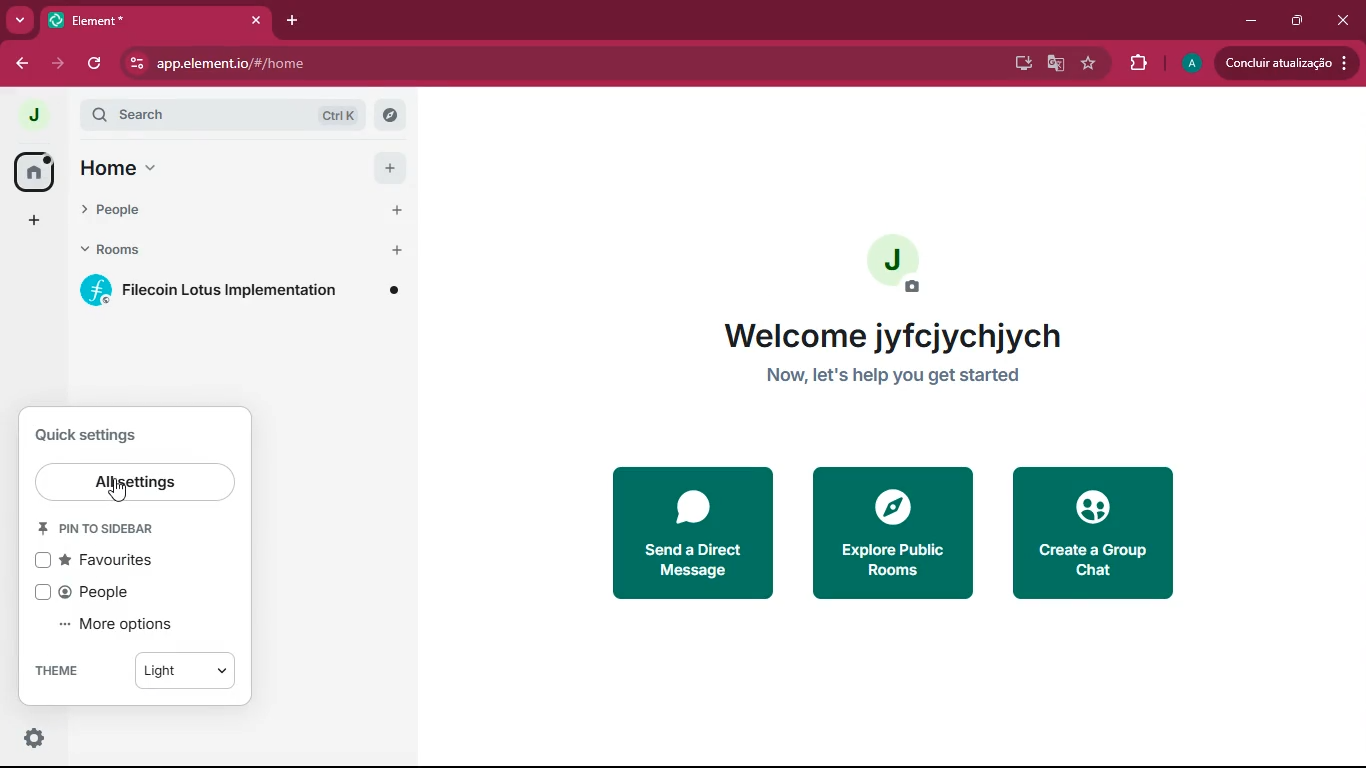 The image size is (1366, 768). What do you see at coordinates (1100, 533) in the screenshot?
I see `create a group chat` at bounding box center [1100, 533].